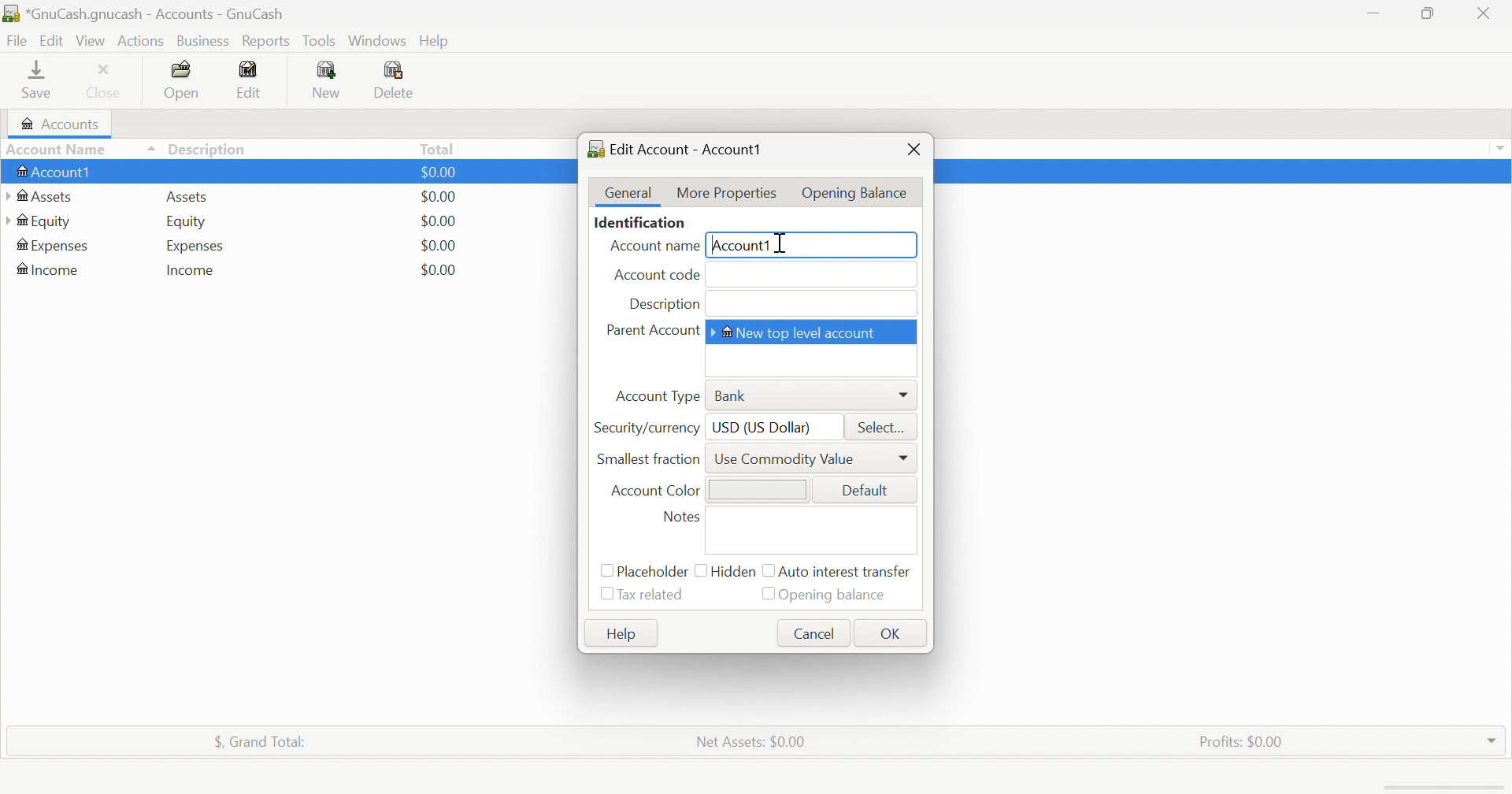 The width and height of the screenshot is (1512, 794). I want to click on Actions, so click(140, 42).